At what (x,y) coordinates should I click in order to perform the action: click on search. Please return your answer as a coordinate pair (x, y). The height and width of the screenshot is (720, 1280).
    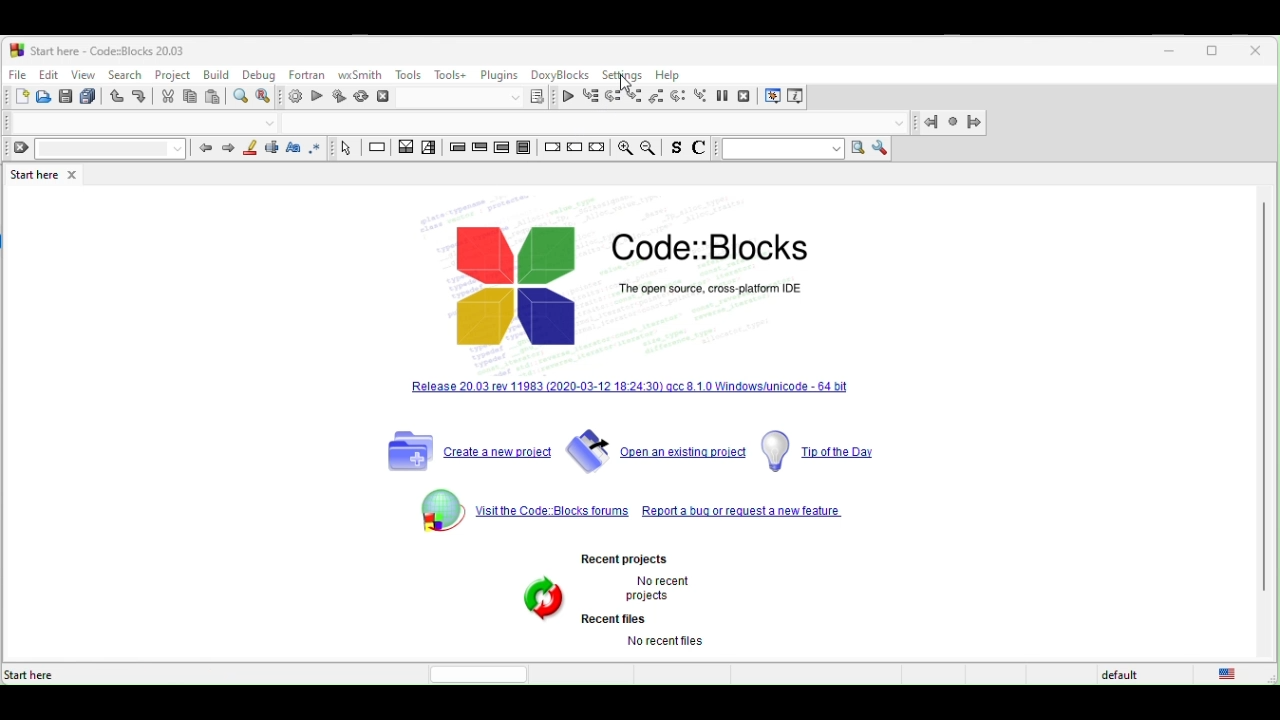
    Looking at the image, I should click on (124, 74).